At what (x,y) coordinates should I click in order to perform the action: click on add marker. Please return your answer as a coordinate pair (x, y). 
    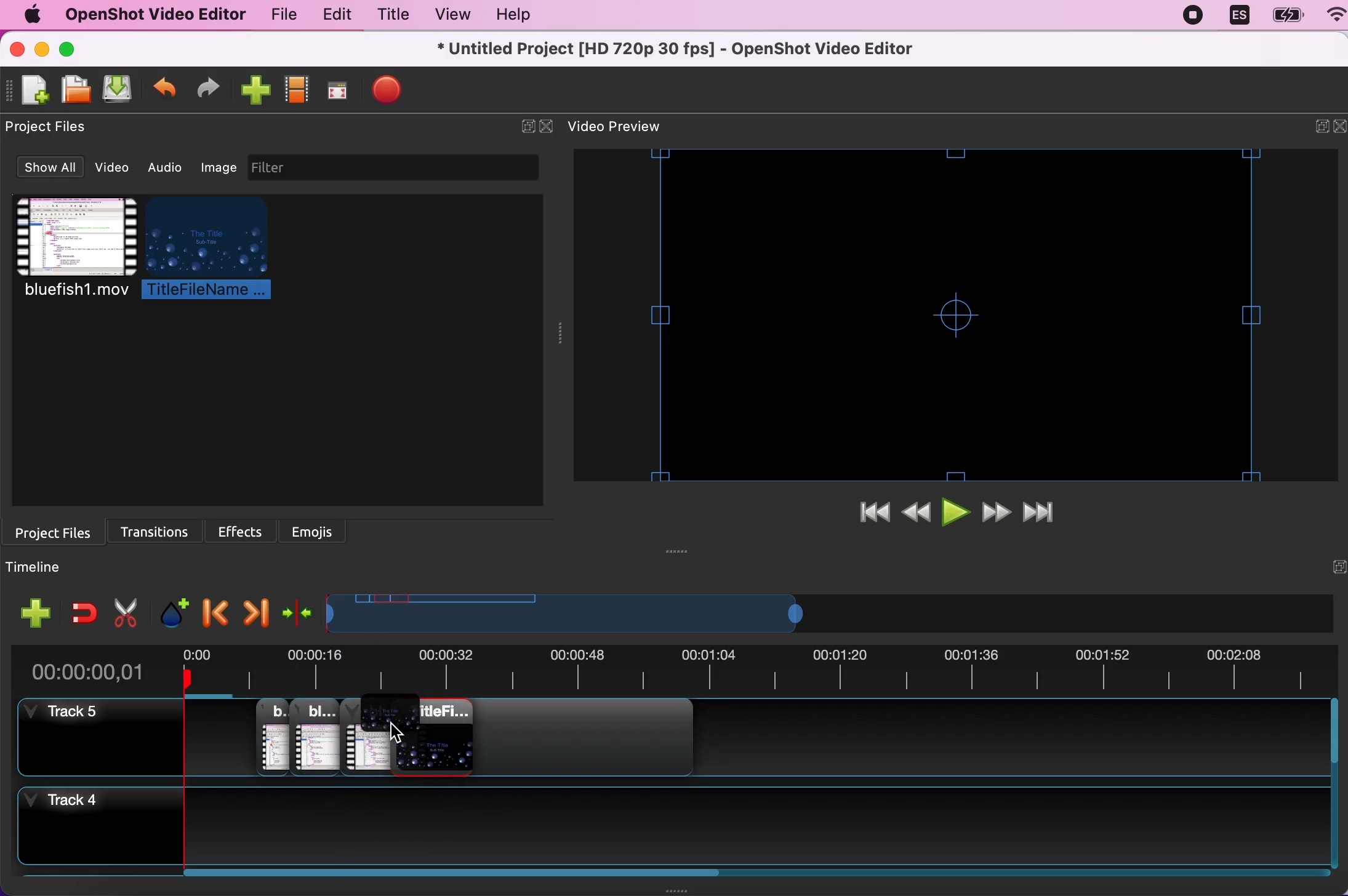
    Looking at the image, I should click on (173, 607).